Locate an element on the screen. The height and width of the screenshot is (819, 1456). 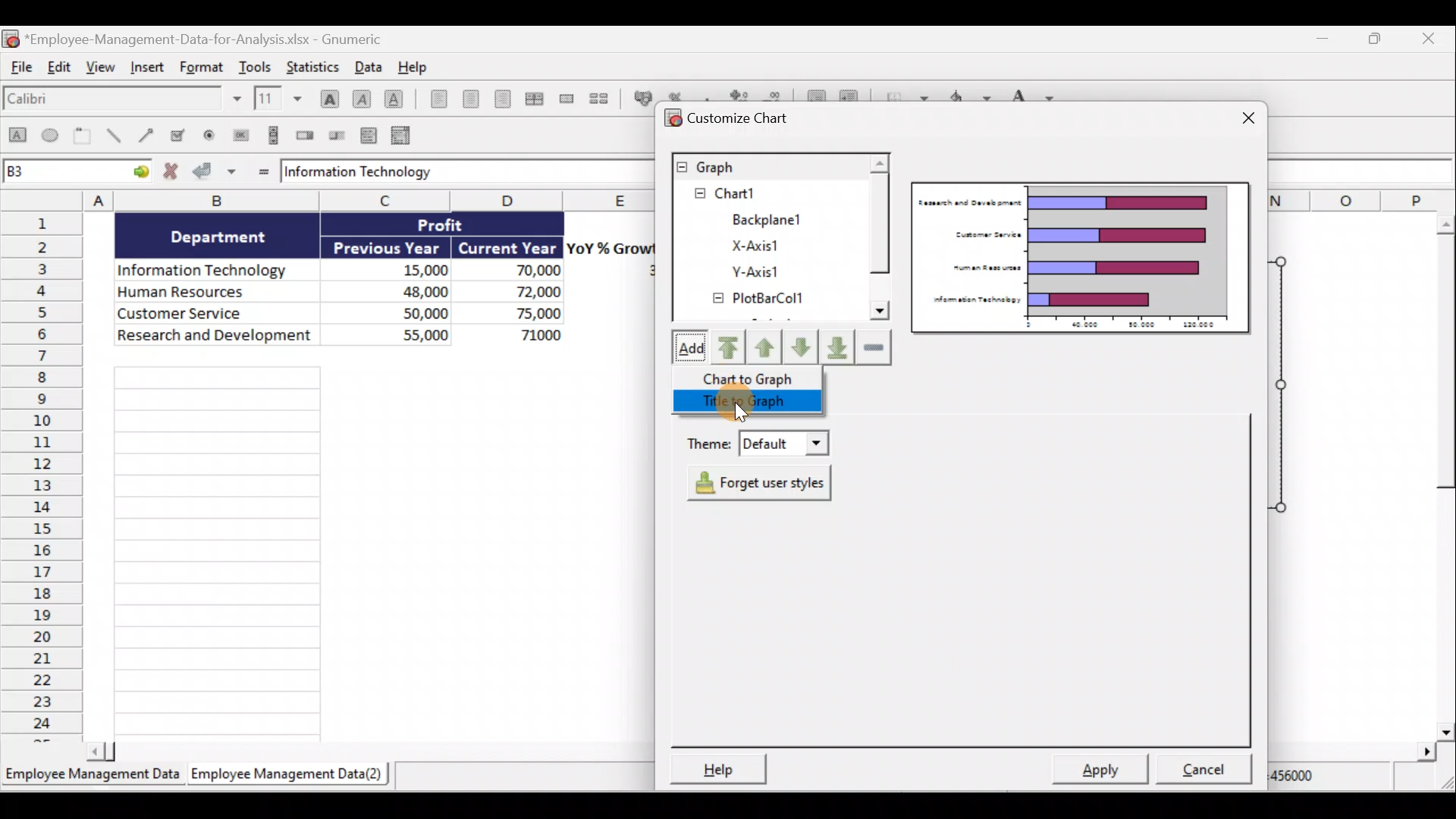
50,000 is located at coordinates (409, 312).